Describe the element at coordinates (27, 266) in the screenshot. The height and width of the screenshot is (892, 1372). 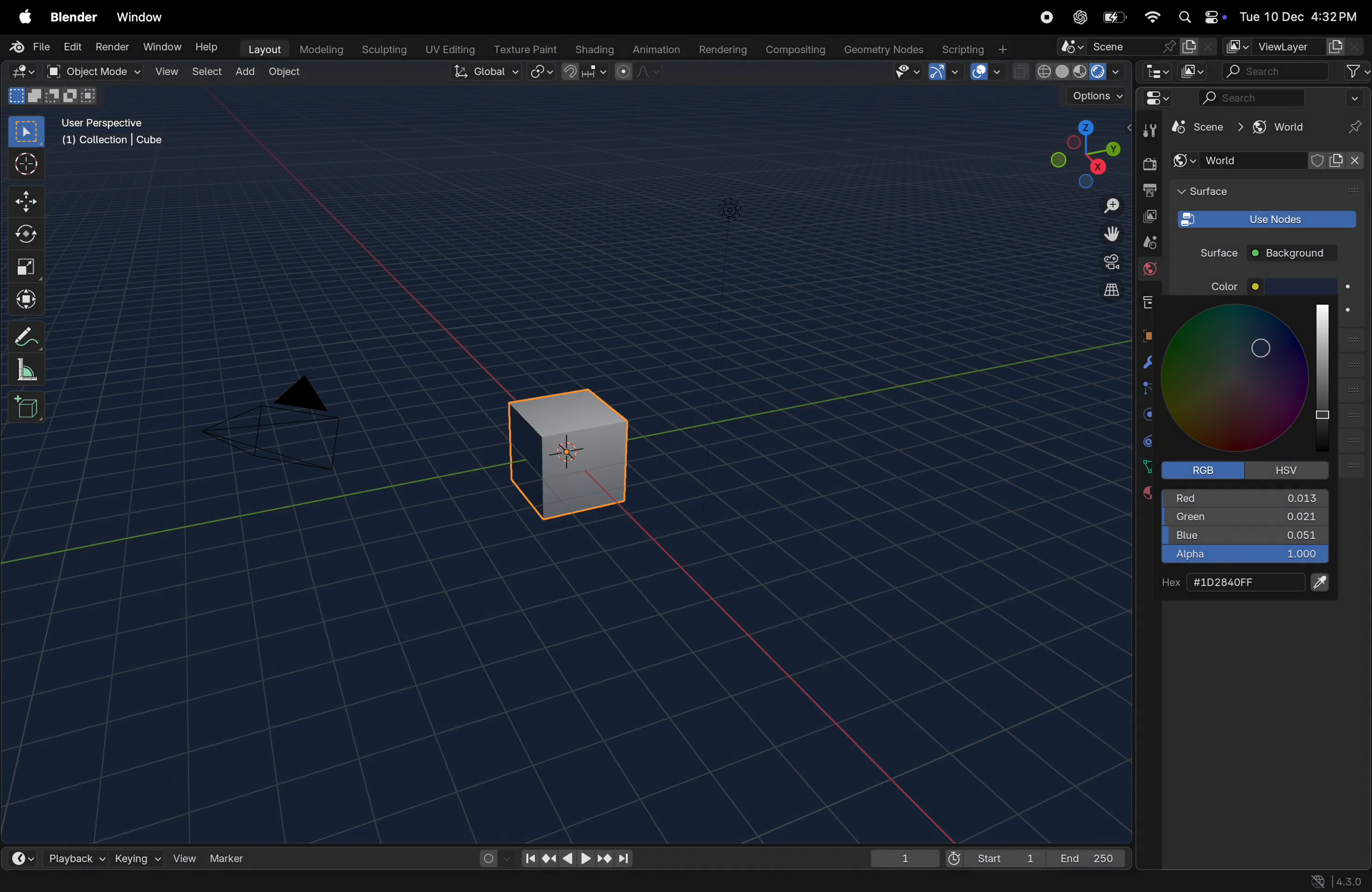
I see `shape` at that location.